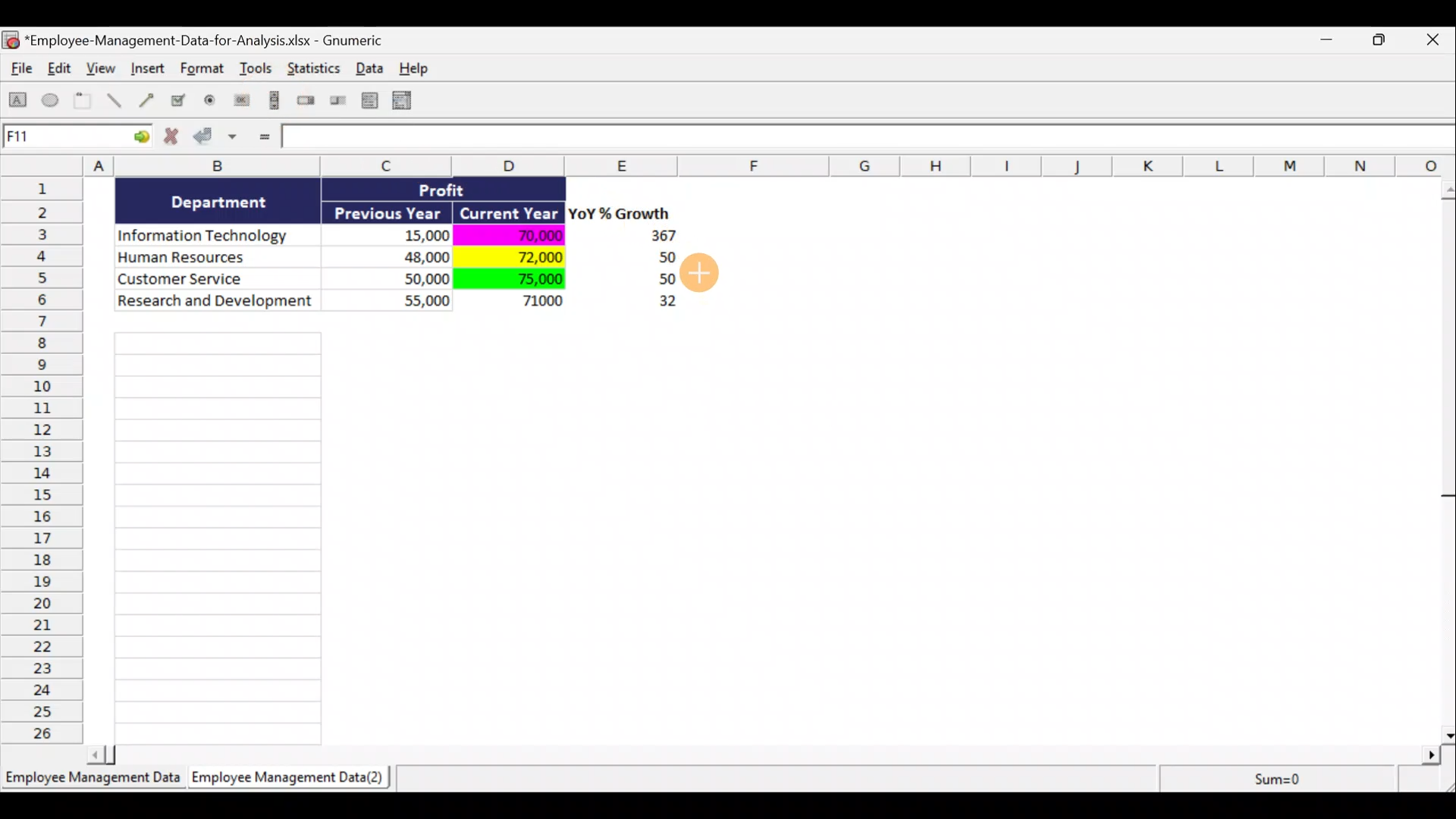  What do you see at coordinates (46, 459) in the screenshot?
I see `Rows` at bounding box center [46, 459].